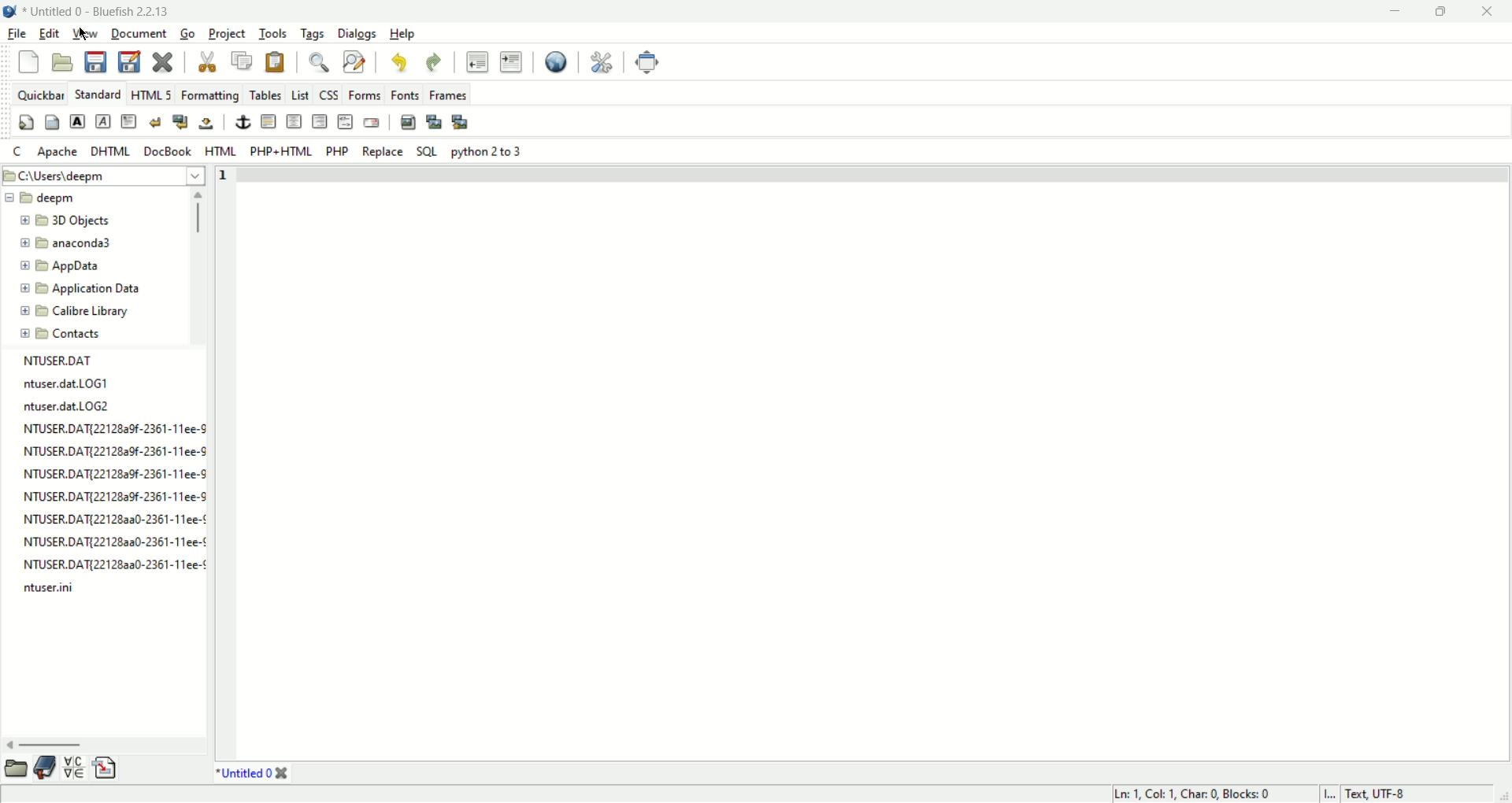 This screenshot has height=803, width=1512. Describe the element at coordinates (476, 63) in the screenshot. I see `unindent` at that location.